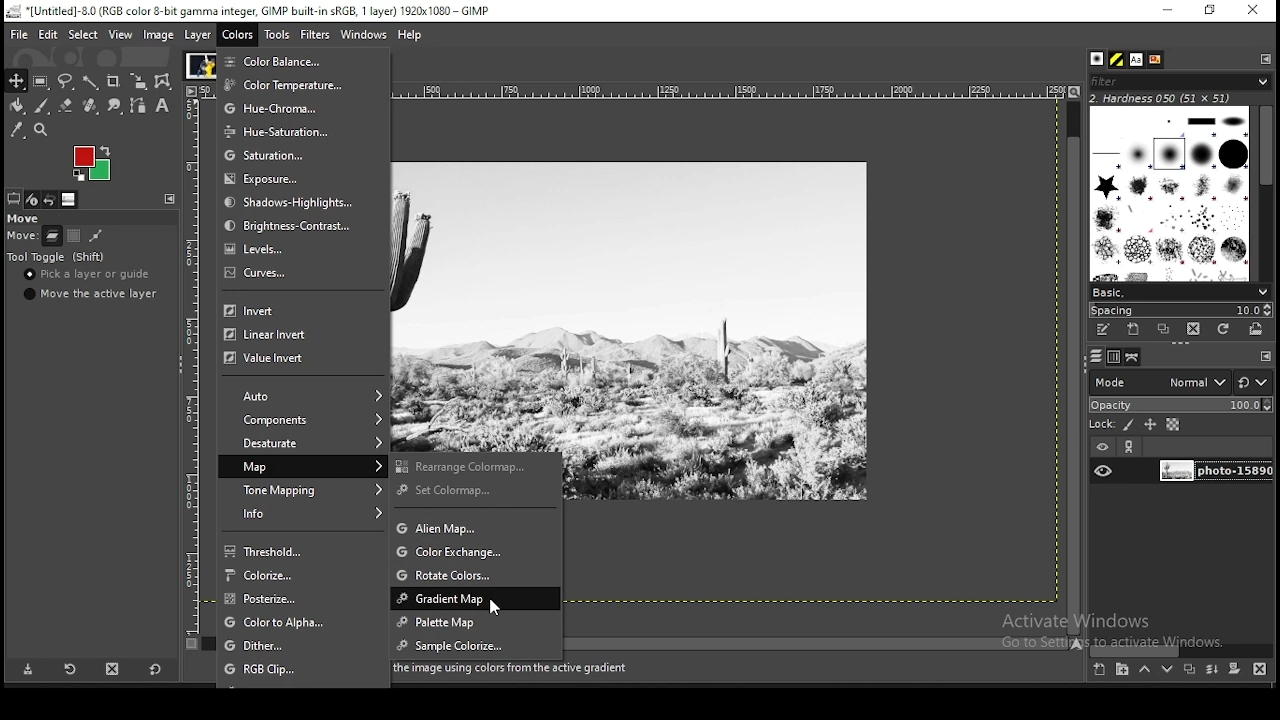 The image size is (1280, 720). I want to click on view, so click(122, 35).